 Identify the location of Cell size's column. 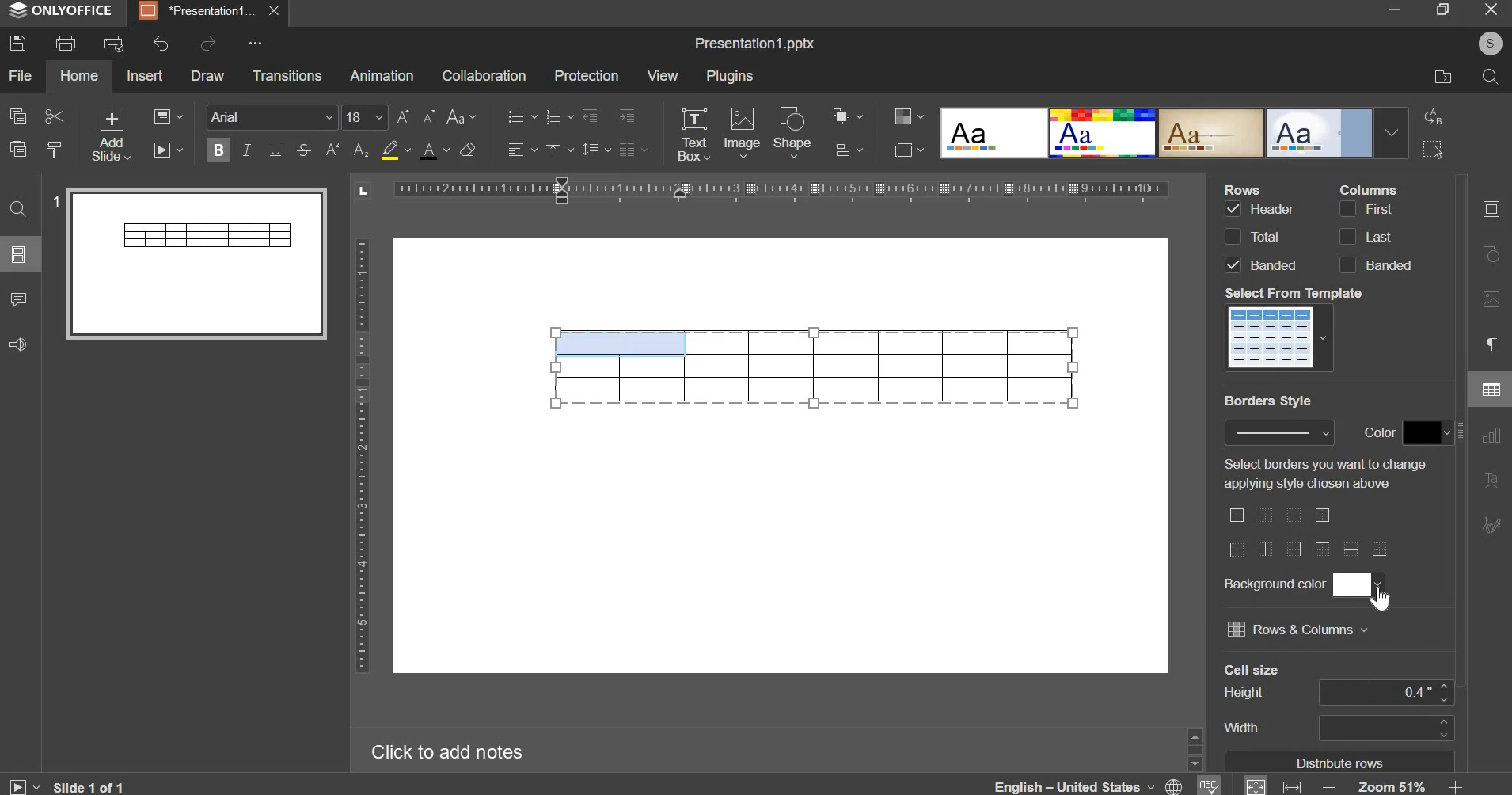
(1252, 700).